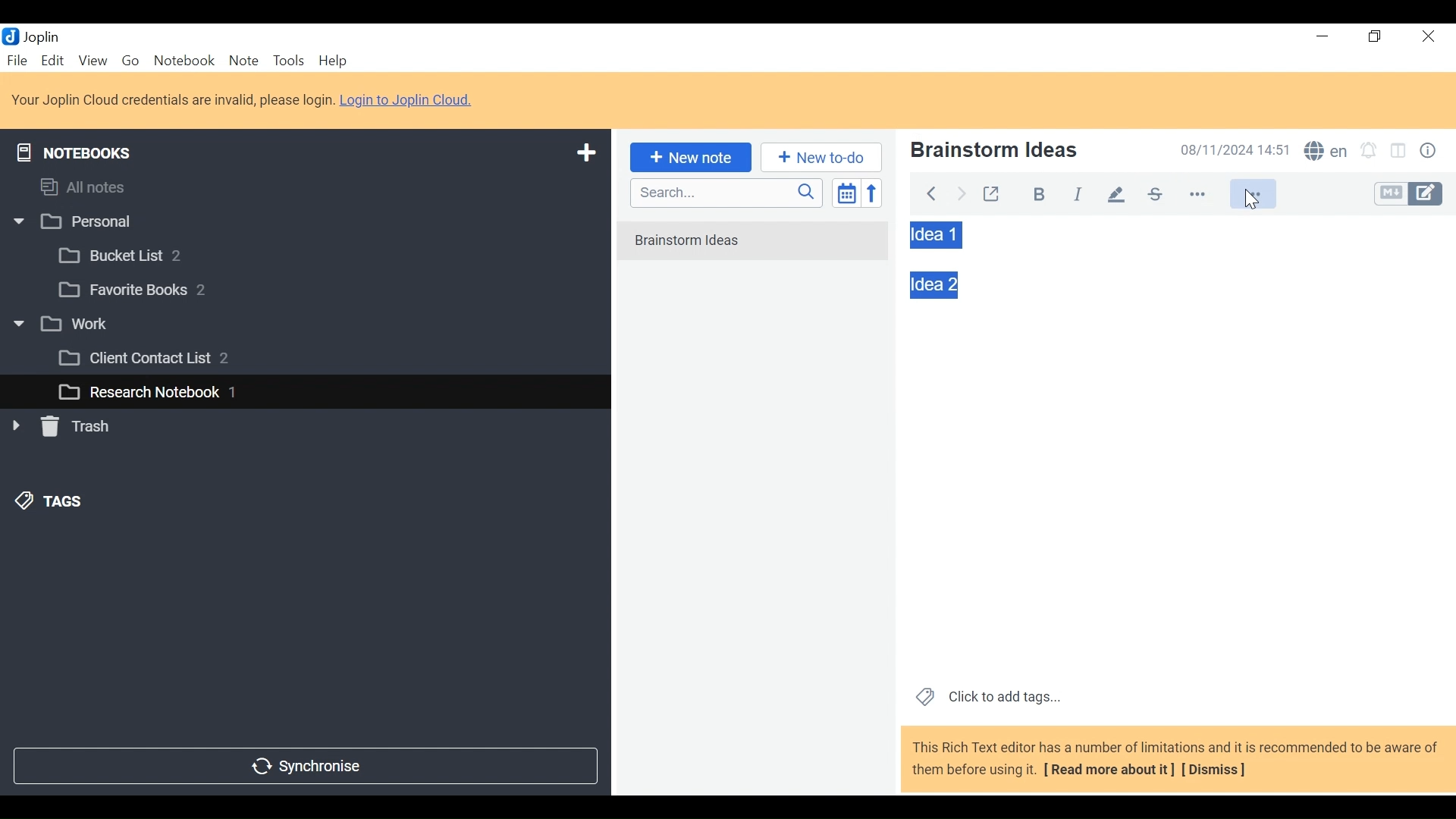  What do you see at coordinates (821, 158) in the screenshot?
I see `Add New to Do` at bounding box center [821, 158].